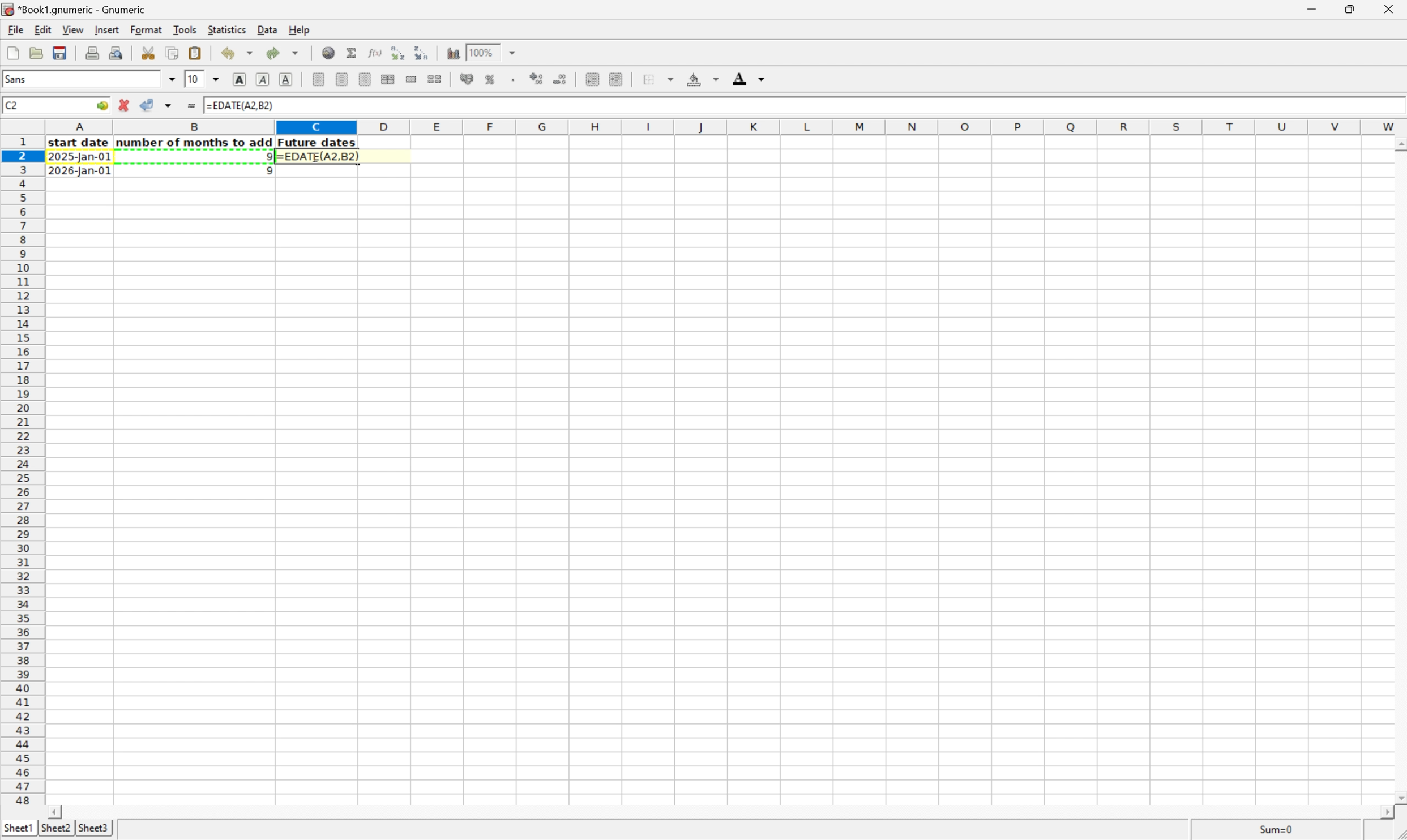 Image resolution: width=1407 pixels, height=840 pixels. I want to click on Insert, so click(106, 29).